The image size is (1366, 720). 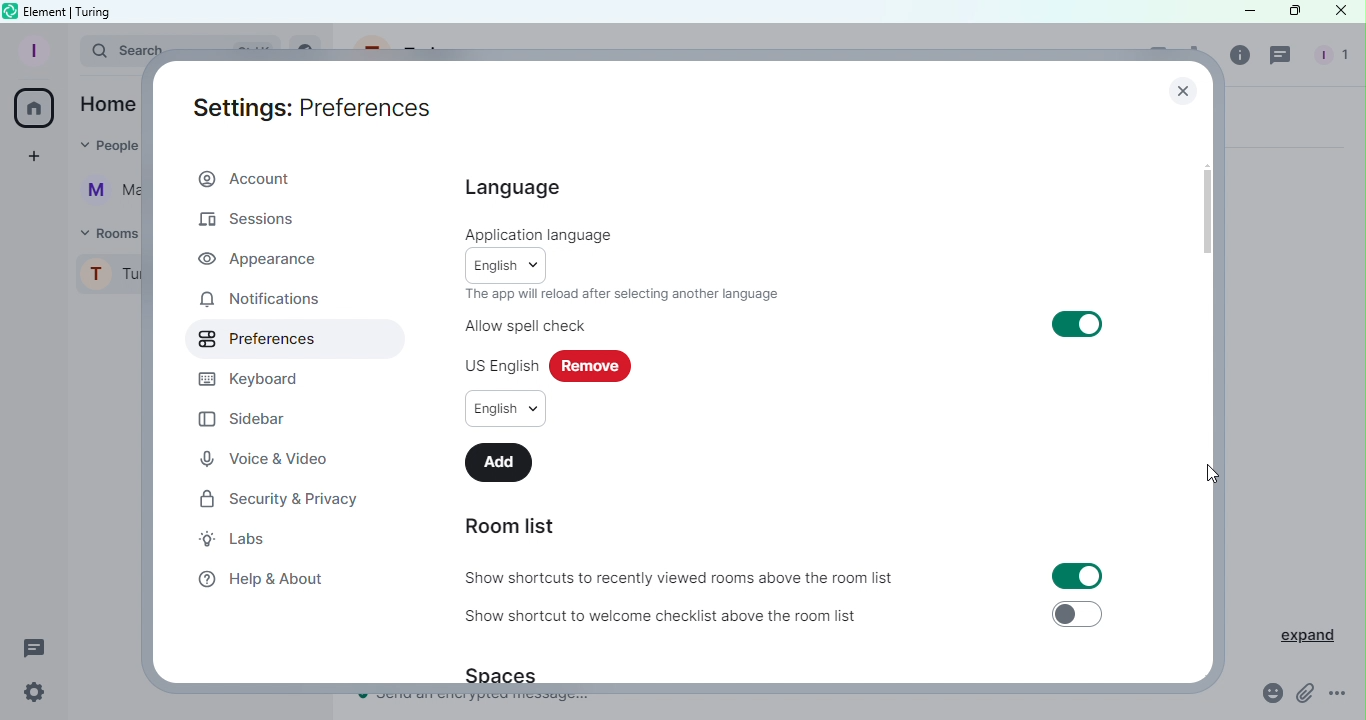 I want to click on People, so click(x=104, y=148).